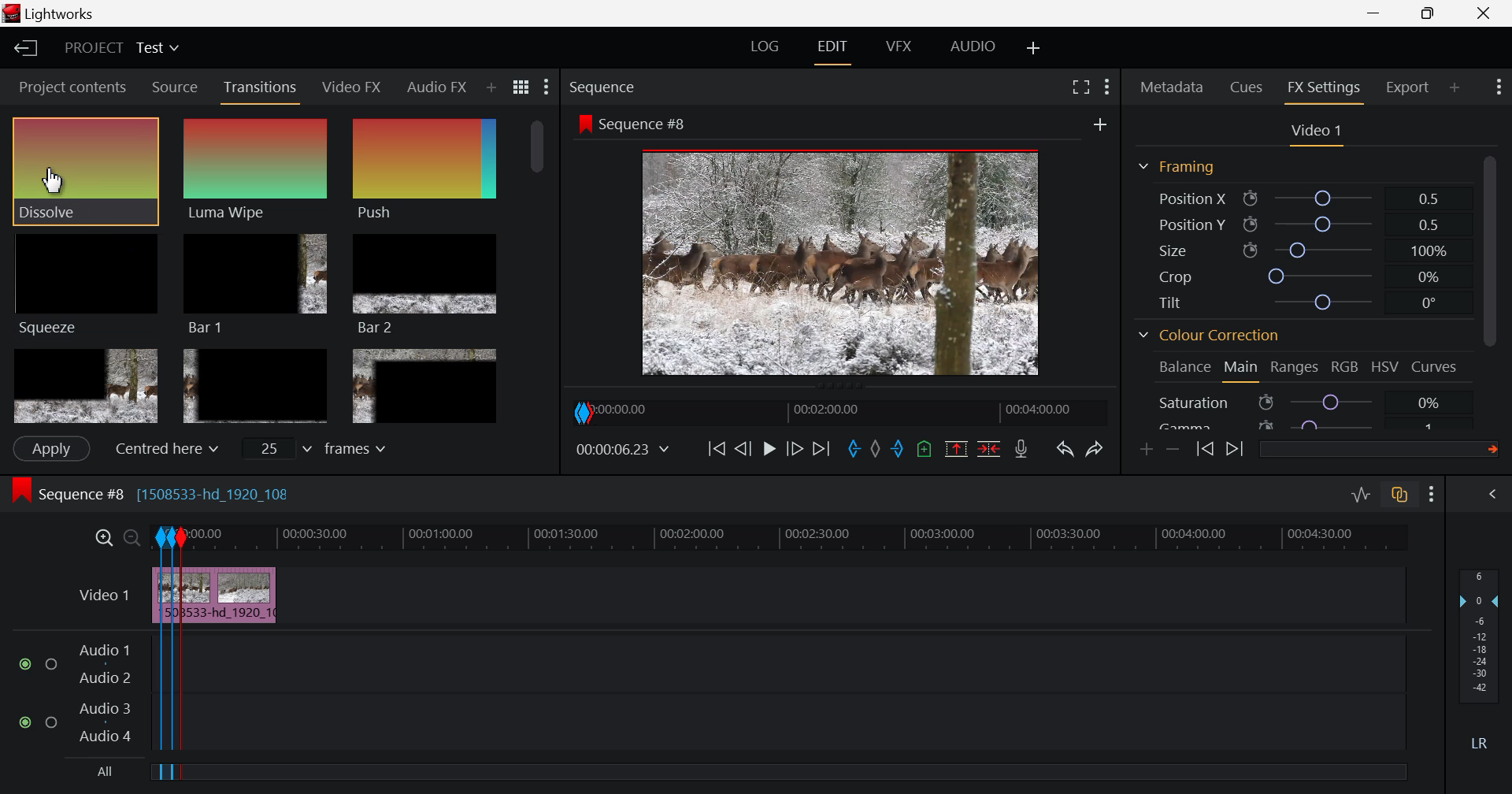  What do you see at coordinates (132, 540) in the screenshot?
I see `Timeline Zoom Out` at bounding box center [132, 540].